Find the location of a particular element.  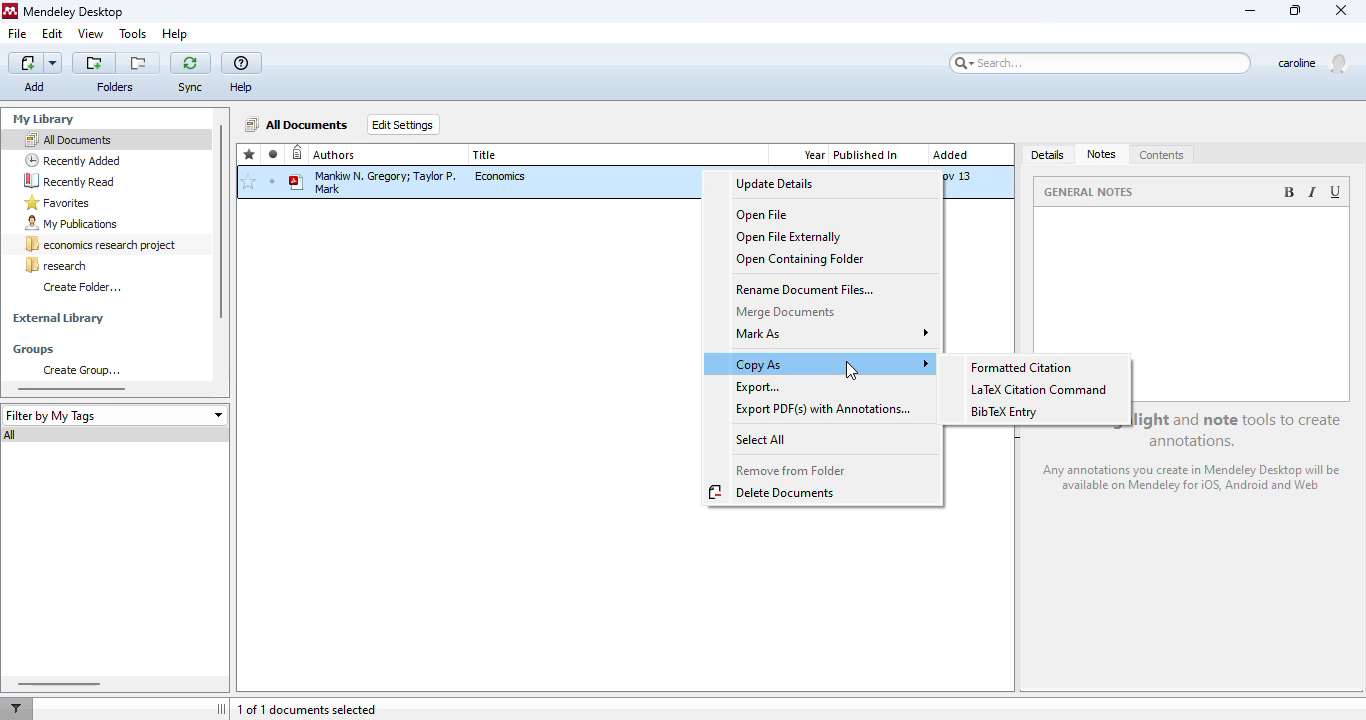

open file is located at coordinates (762, 215).